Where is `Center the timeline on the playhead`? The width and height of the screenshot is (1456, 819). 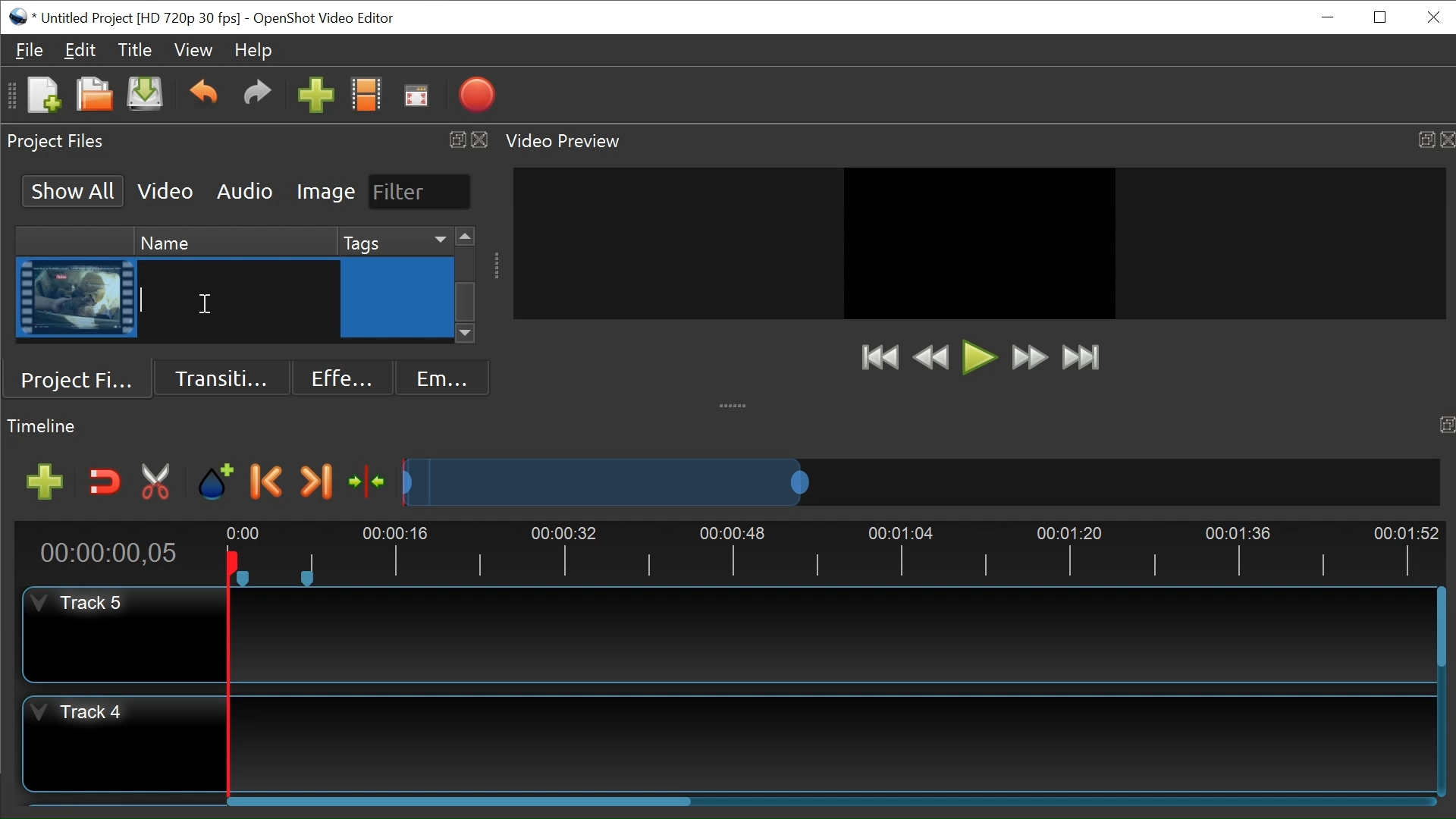 Center the timeline on the playhead is located at coordinates (365, 480).